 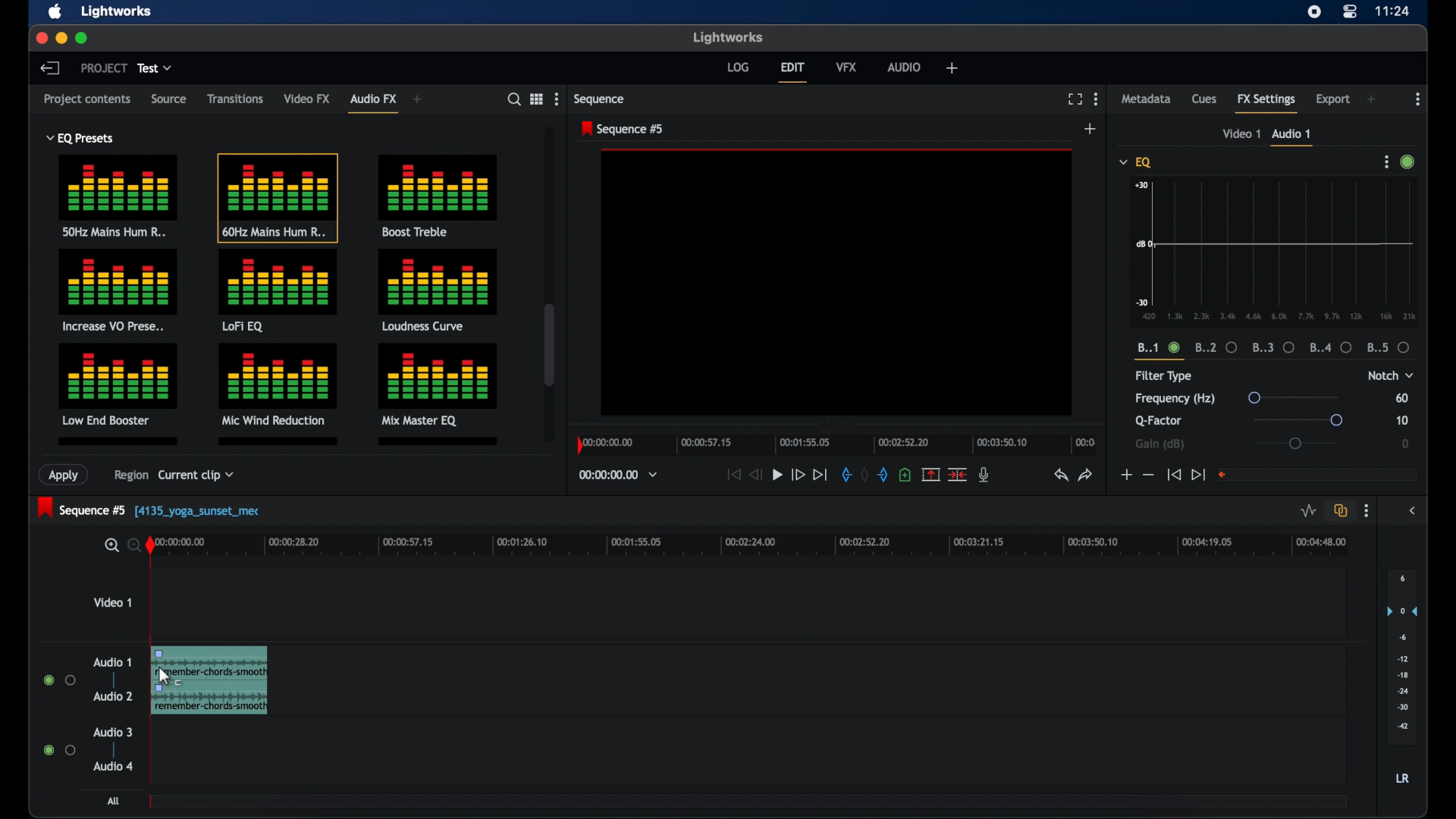 What do you see at coordinates (112, 801) in the screenshot?
I see `all` at bounding box center [112, 801].